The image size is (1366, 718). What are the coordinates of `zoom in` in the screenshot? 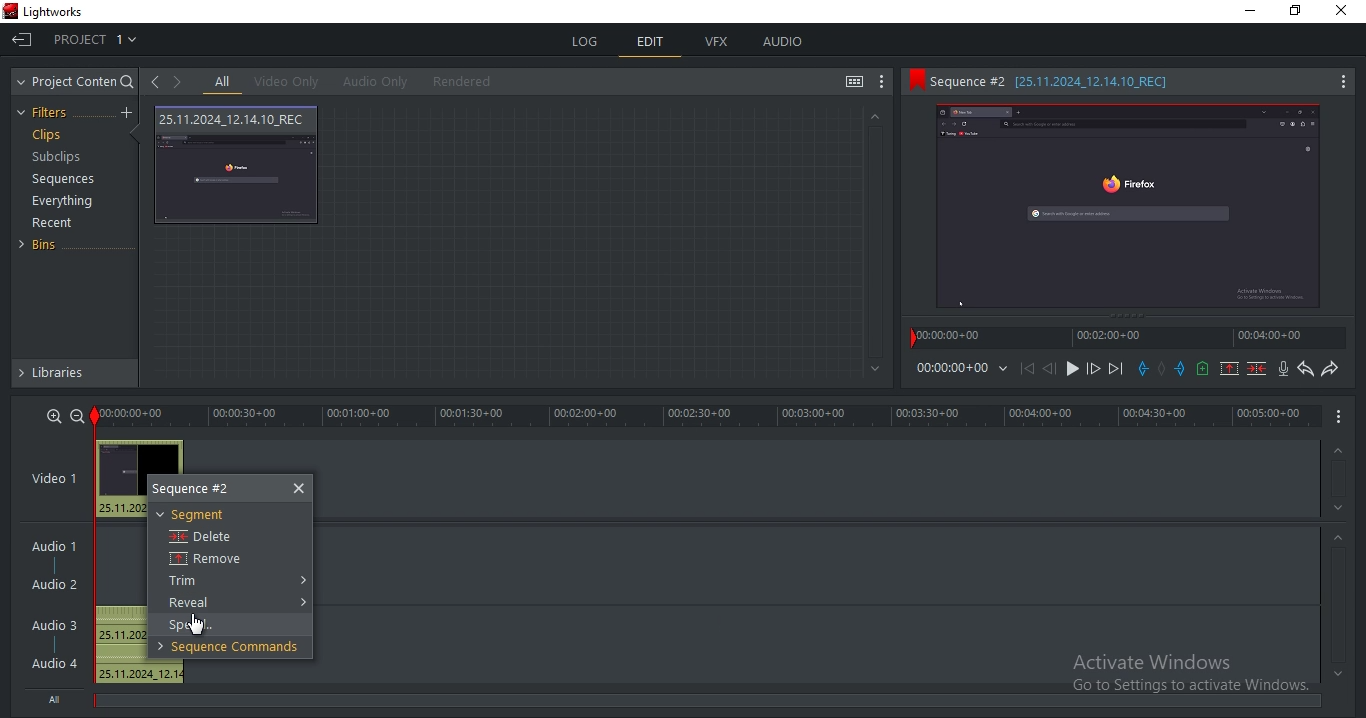 It's located at (52, 416).